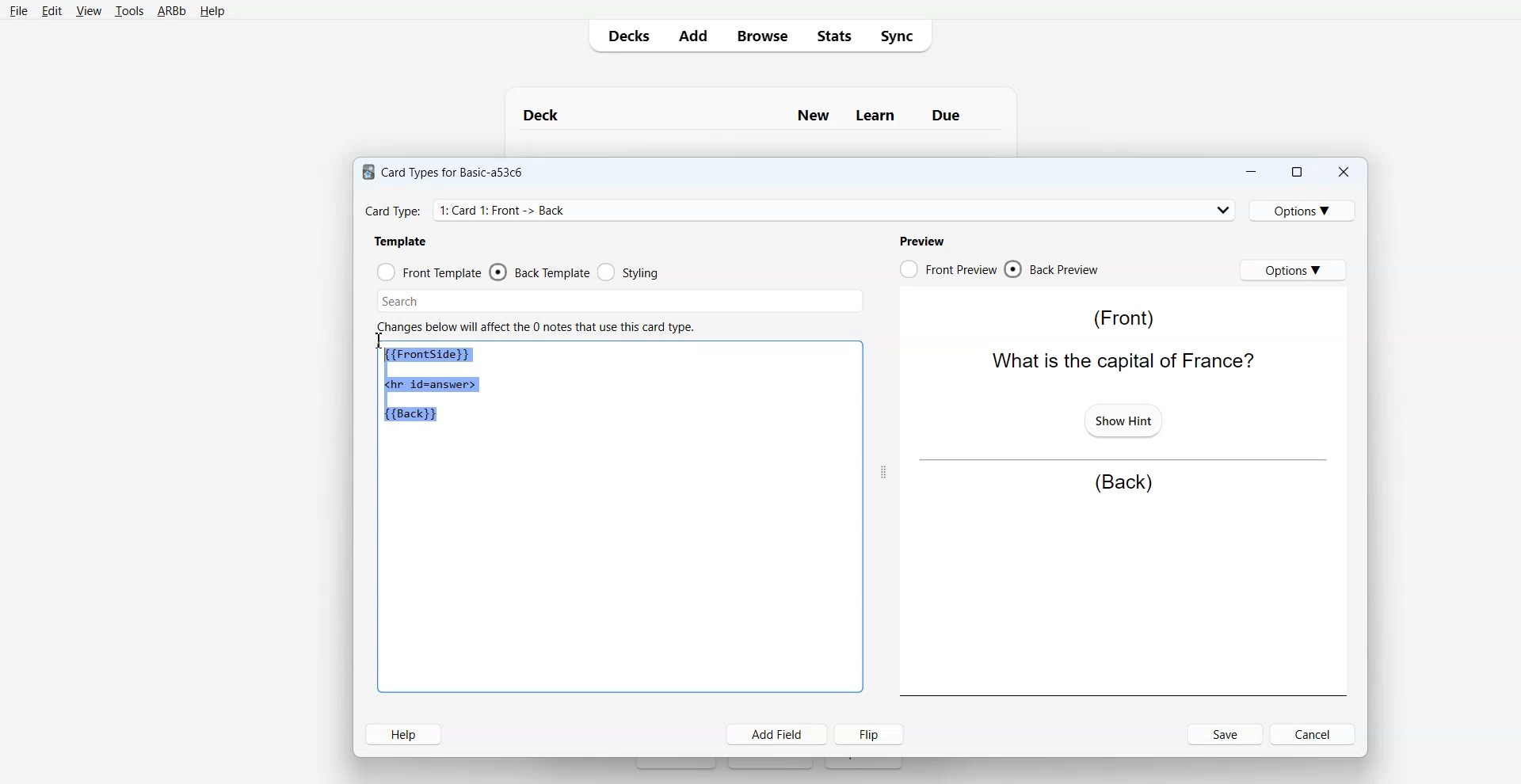 The height and width of the screenshot is (784, 1521). I want to click on Search Bar, so click(620, 301).